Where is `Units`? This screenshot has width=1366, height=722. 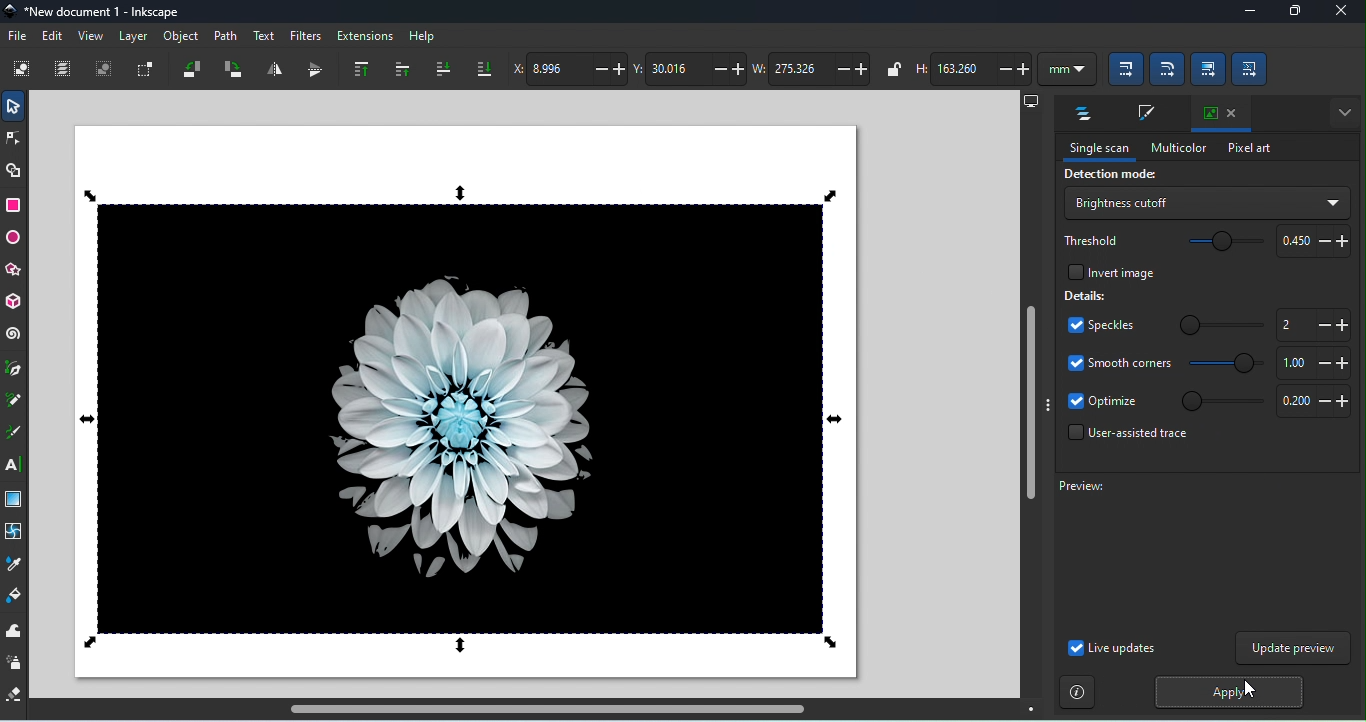 Units is located at coordinates (1066, 70).